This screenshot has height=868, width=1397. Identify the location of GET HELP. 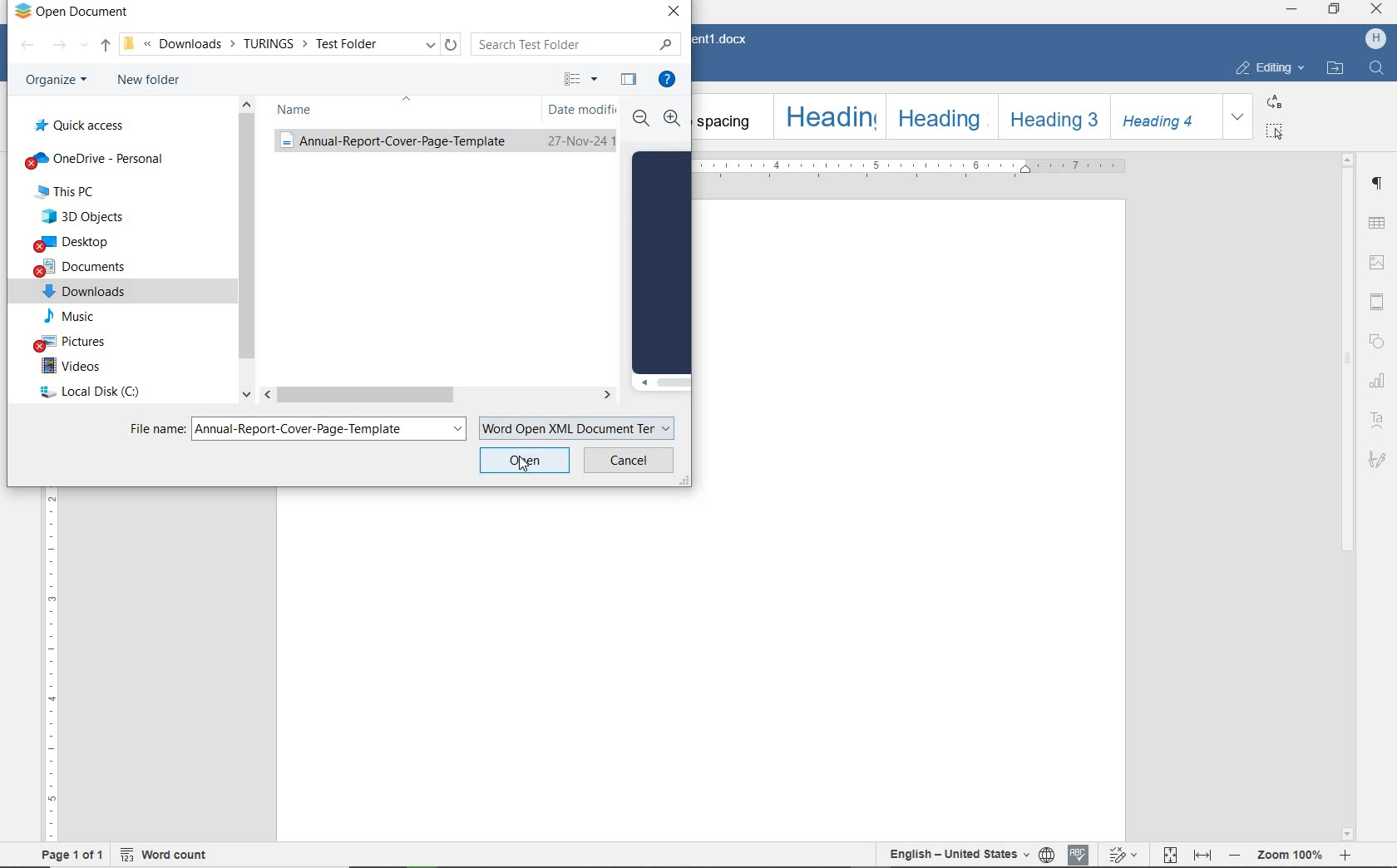
(665, 76).